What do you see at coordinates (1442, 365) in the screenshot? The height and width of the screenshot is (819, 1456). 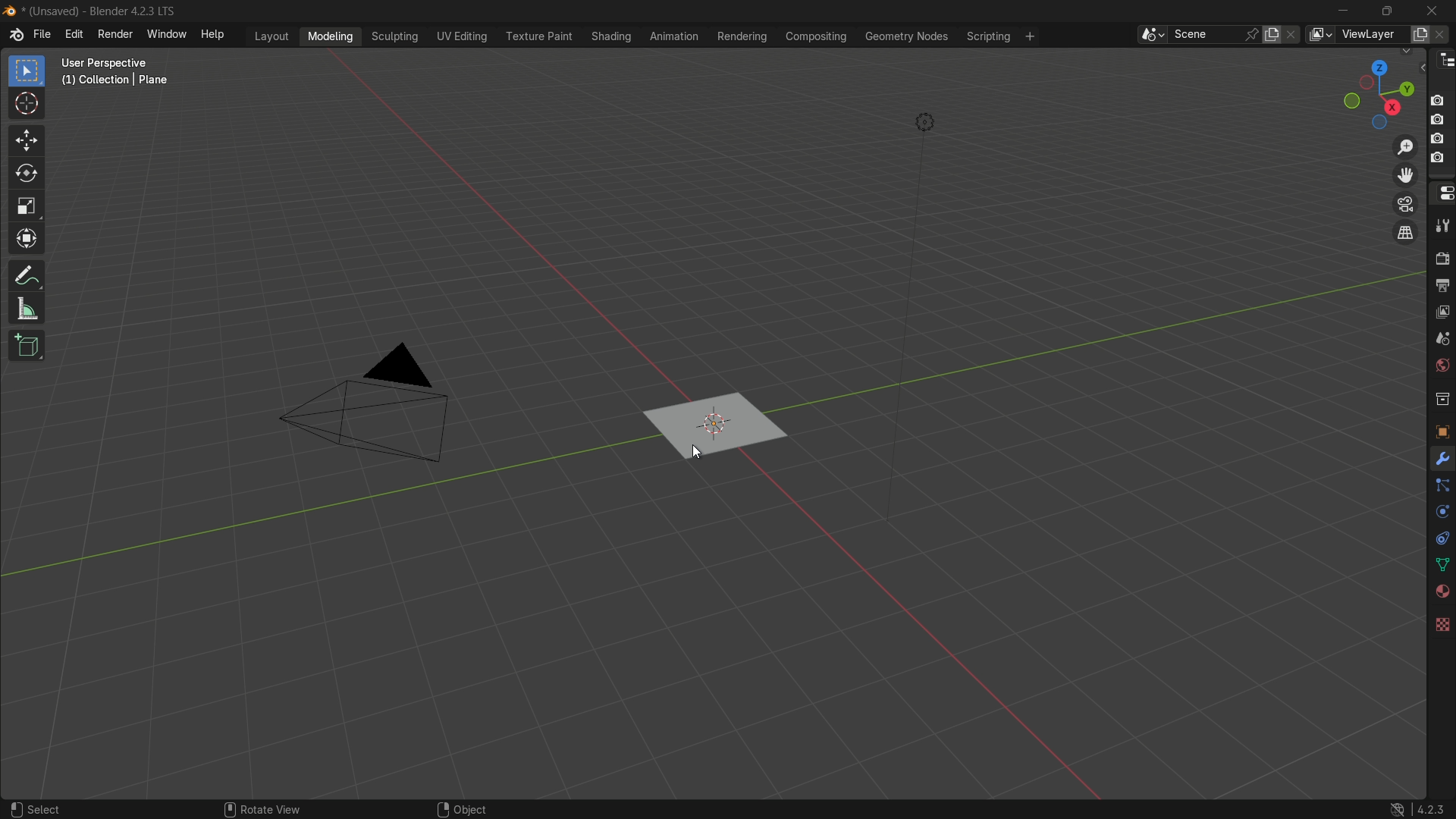 I see `` at bounding box center [1442, 365].